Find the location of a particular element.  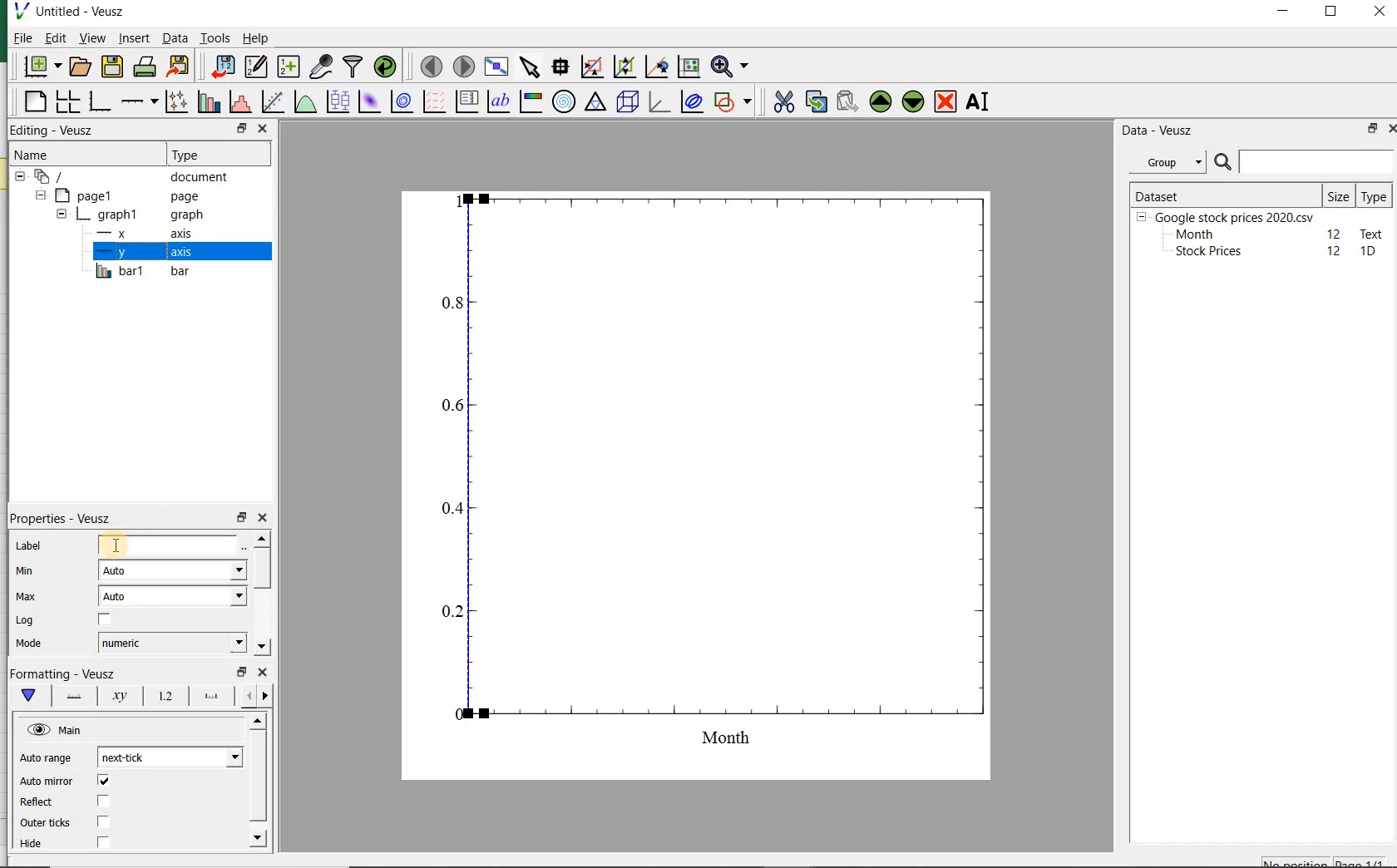

move the selected widget up is located at coordinates (881, 101).